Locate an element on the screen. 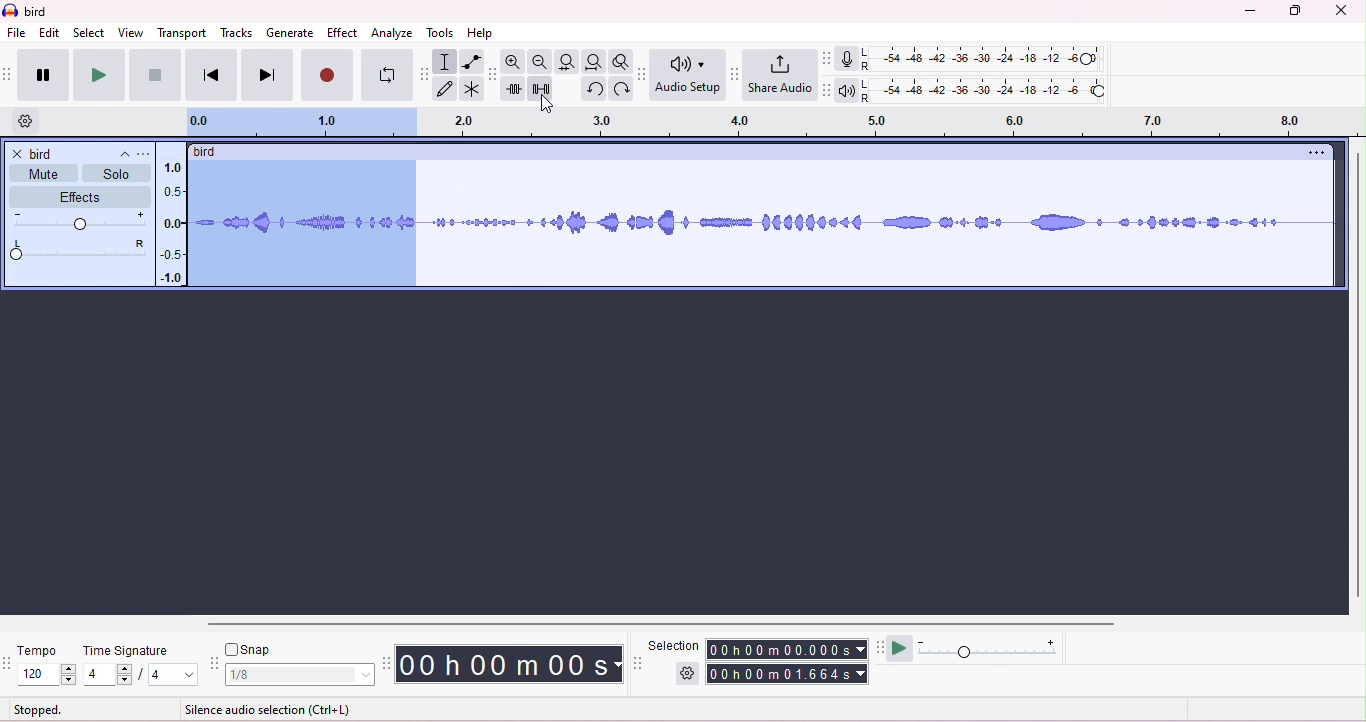 This screenshot has height=722, width=1366. record meter is located at coordinates (855, 59).